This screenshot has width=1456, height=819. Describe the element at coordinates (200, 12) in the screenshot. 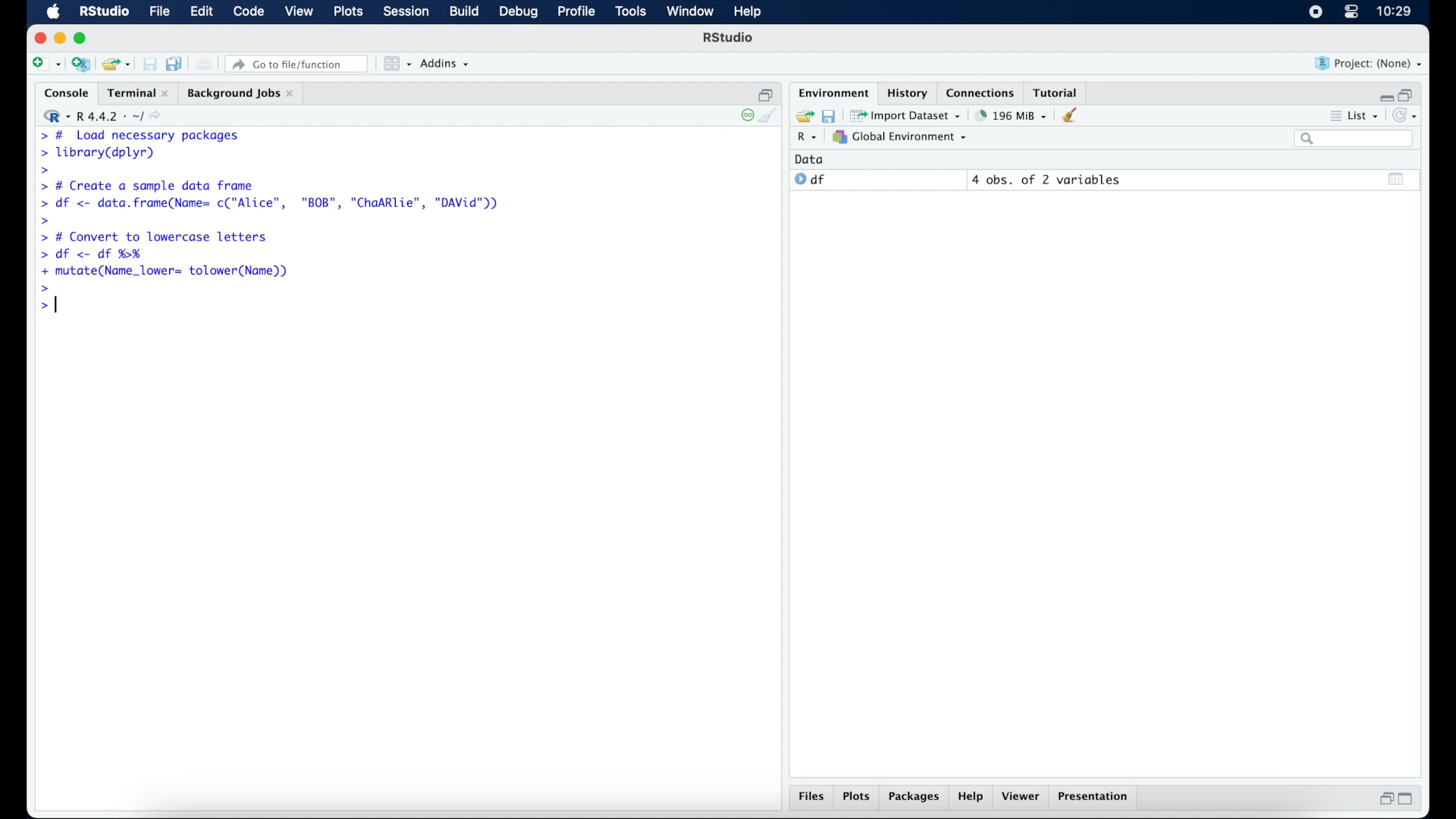

I see `edit` at that location.